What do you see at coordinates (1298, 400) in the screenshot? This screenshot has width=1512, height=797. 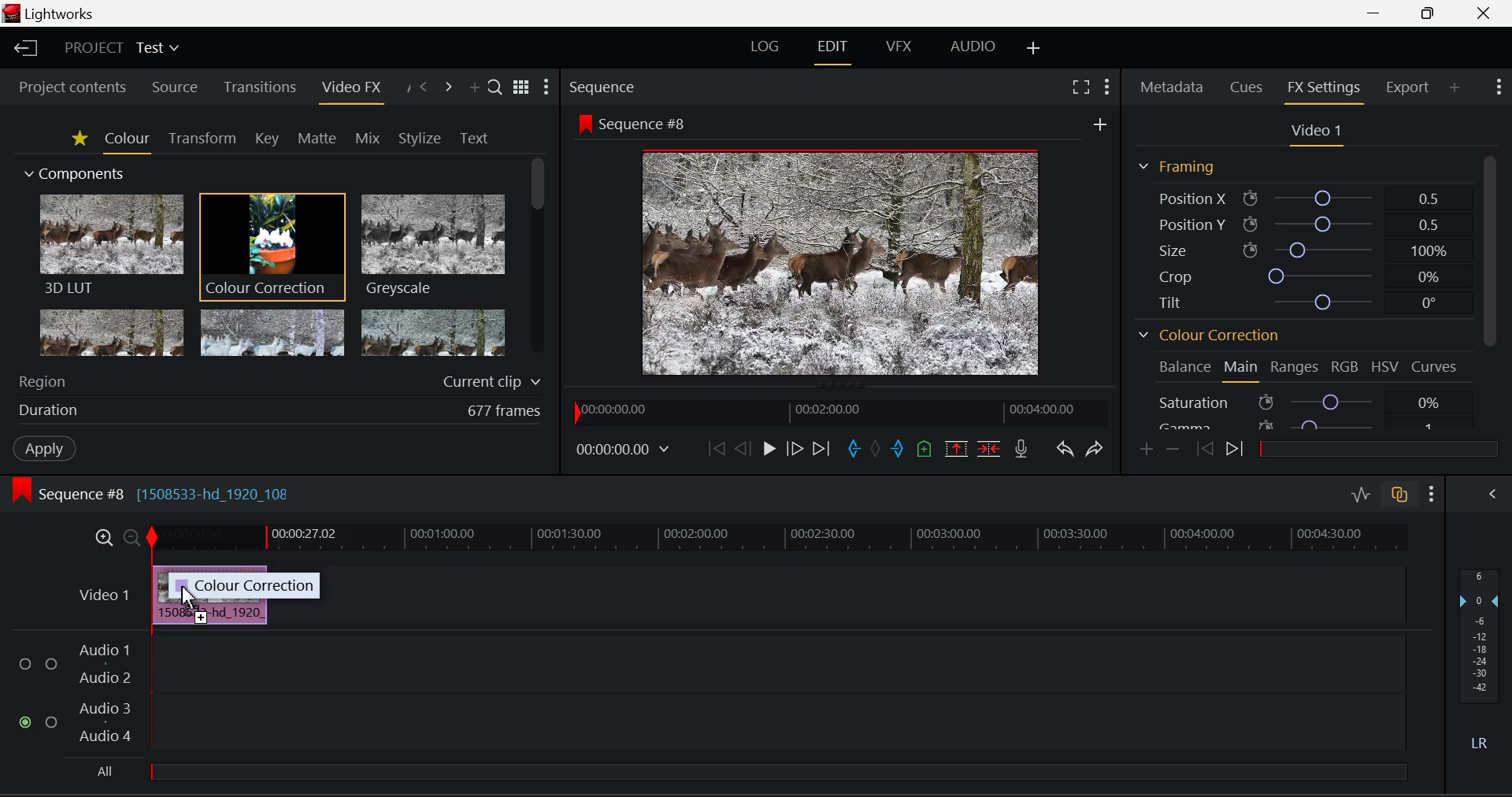 I see `Saturation` at bounding box center [1298, 400].